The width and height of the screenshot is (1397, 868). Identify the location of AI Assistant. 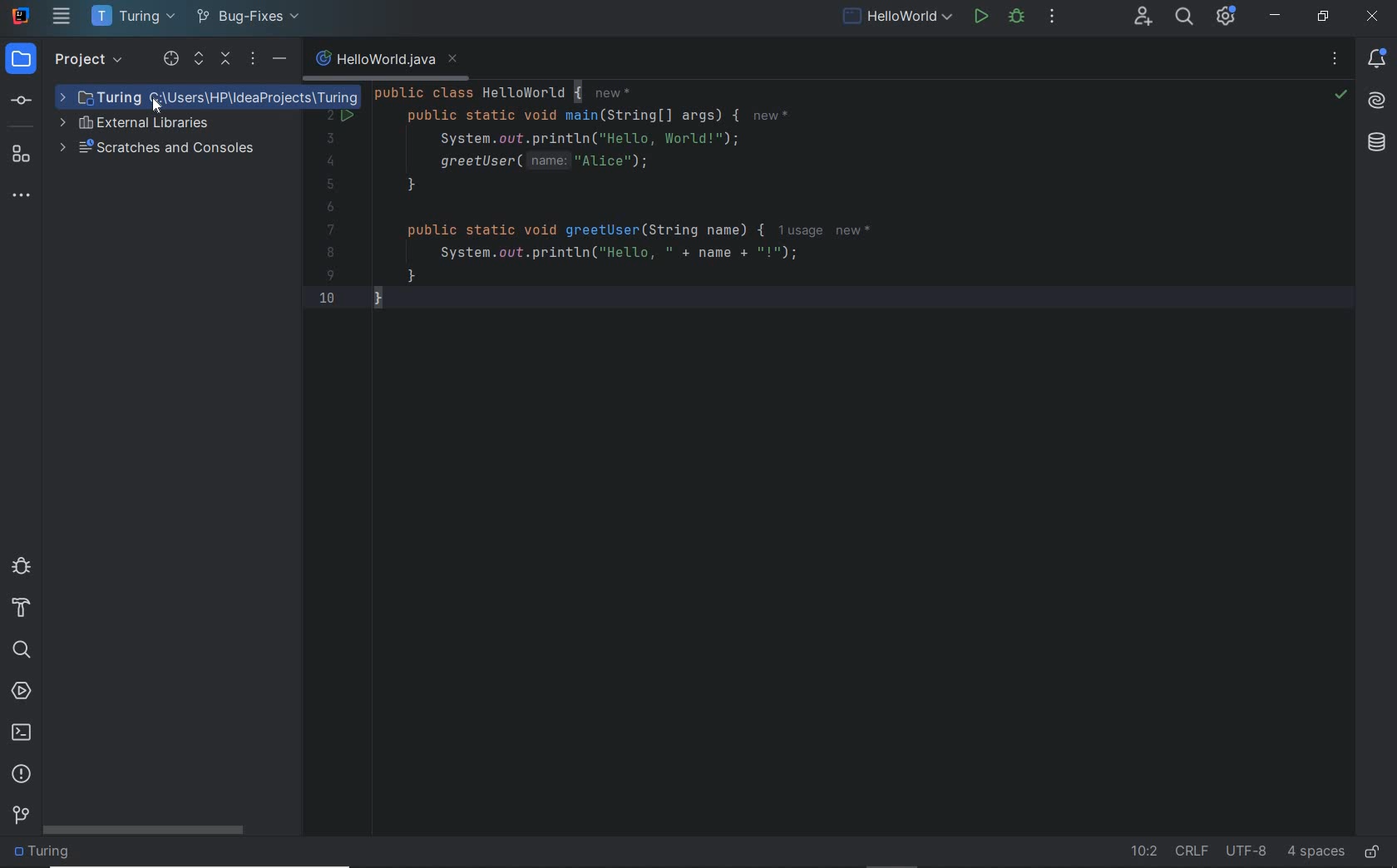
(1377, 99).